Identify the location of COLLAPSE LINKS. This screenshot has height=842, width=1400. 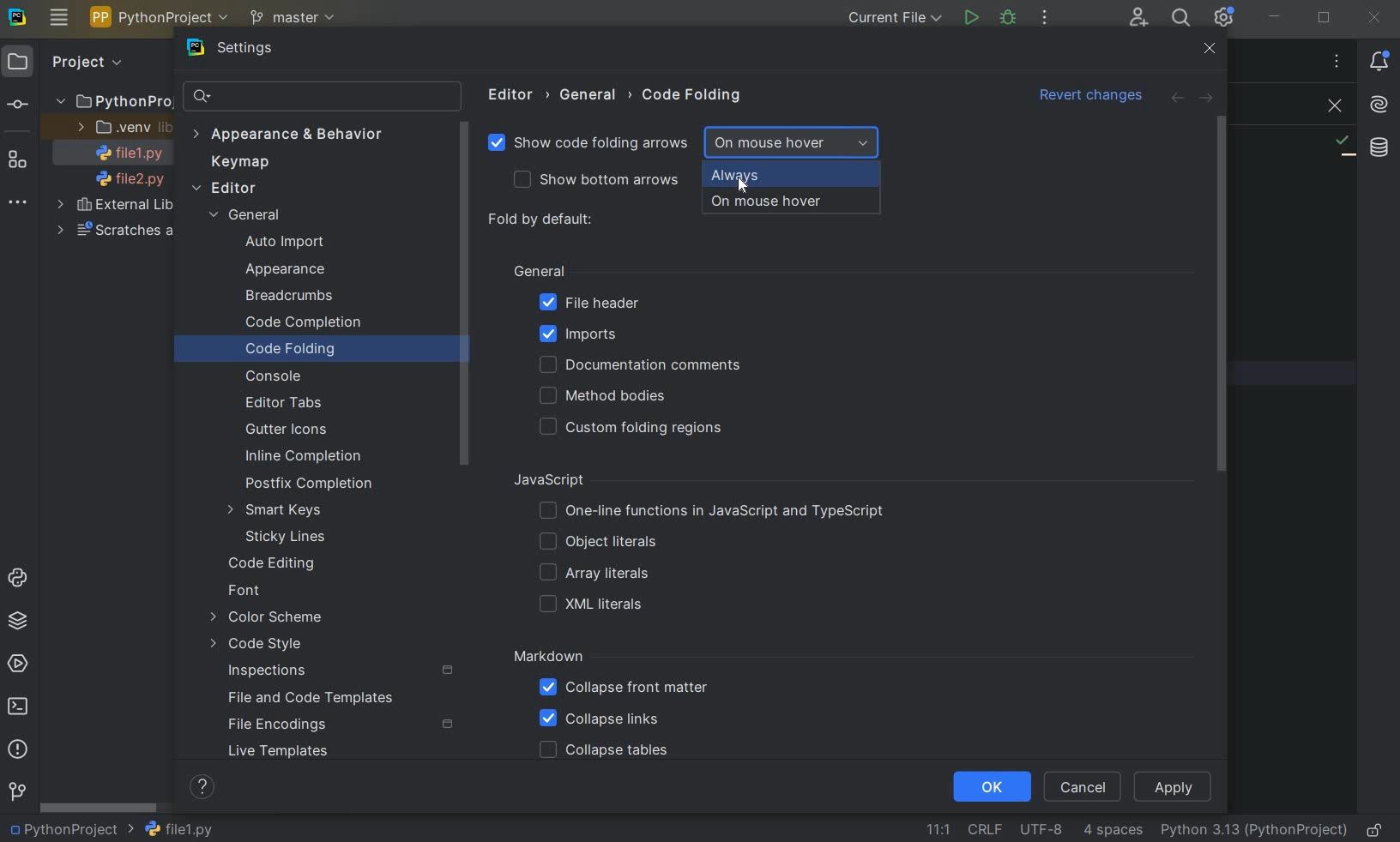
(600, 719).